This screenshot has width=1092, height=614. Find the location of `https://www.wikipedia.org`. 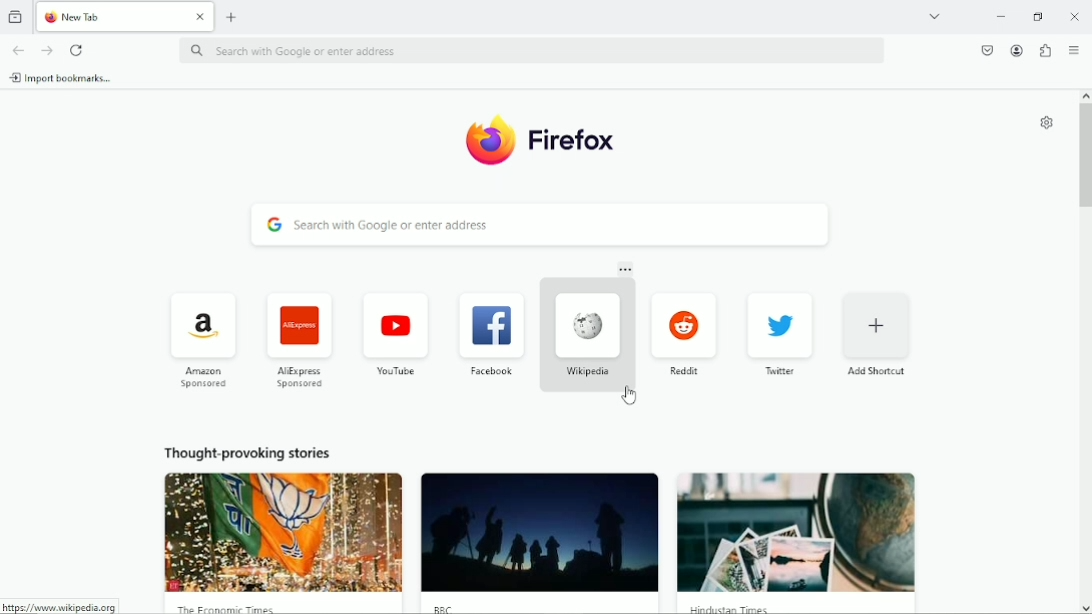

https://www.wikipedia.org is located at coordinates (58, 607).